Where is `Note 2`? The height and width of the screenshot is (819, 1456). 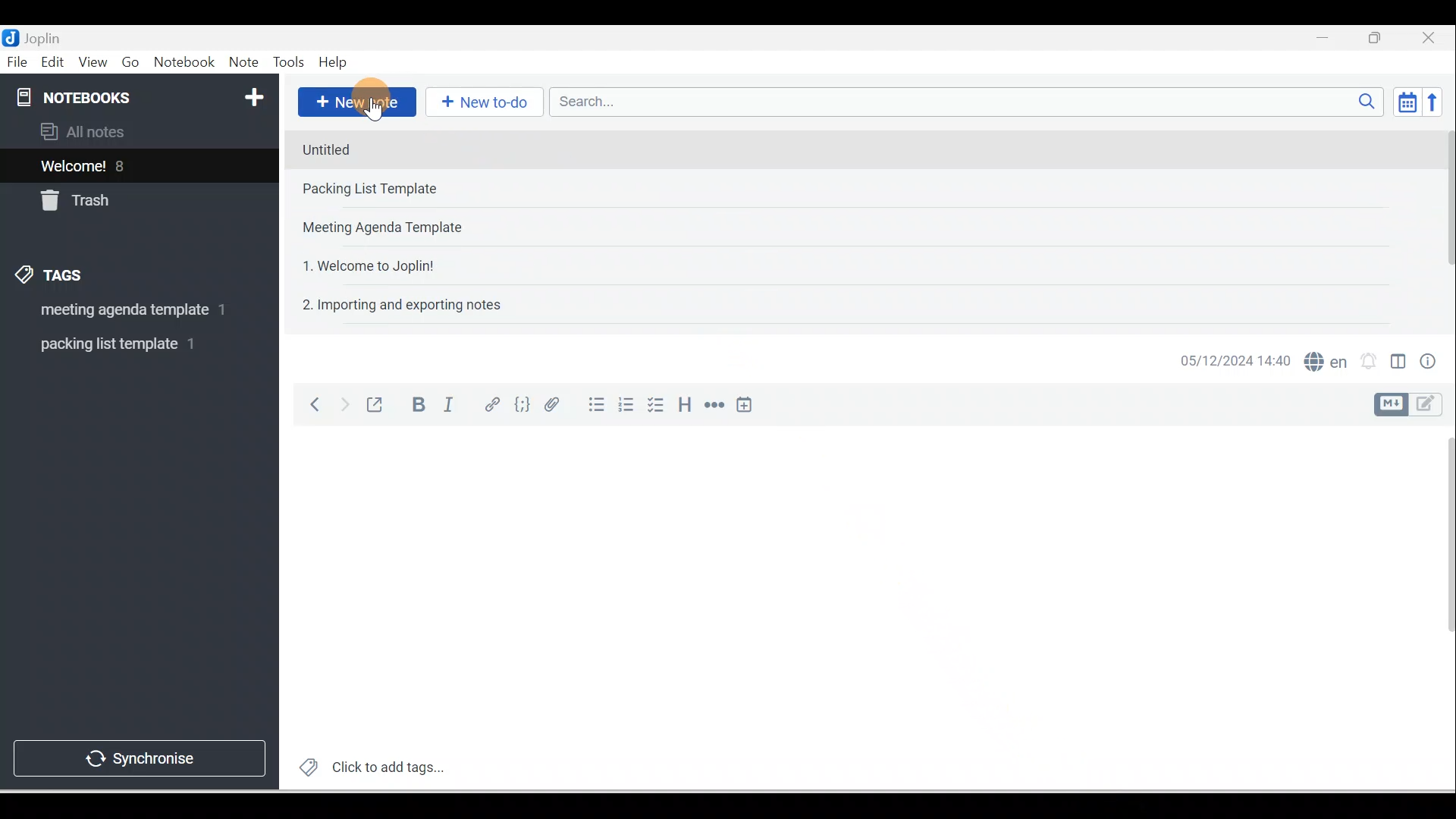
Note 2 is located at coordinates (401, 188).